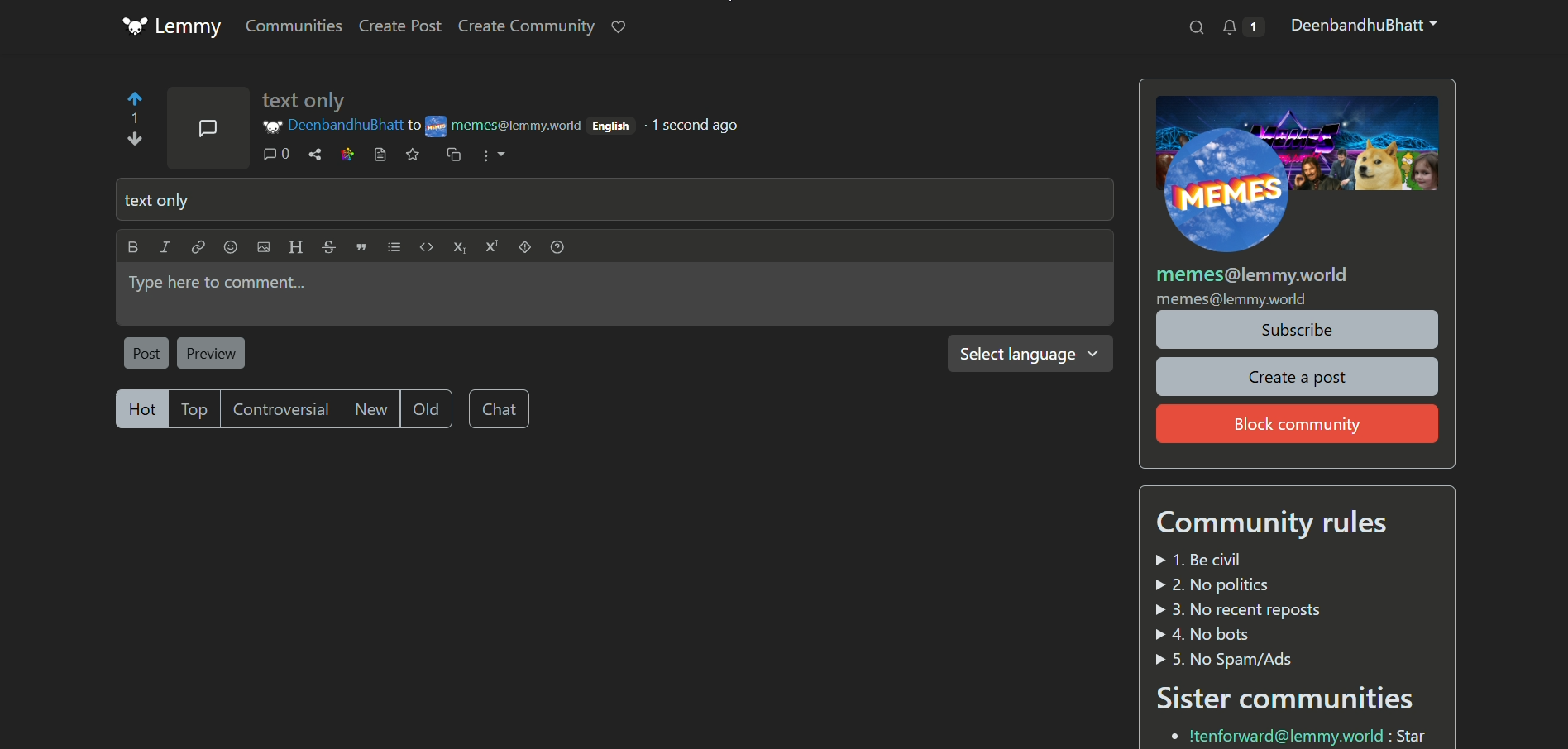 The width and height of the screenshot is (1568, 749). What do you see at coordinates (1242, 26) in the screenshot?
I see `notifications` at bounding box center [1242, 26].